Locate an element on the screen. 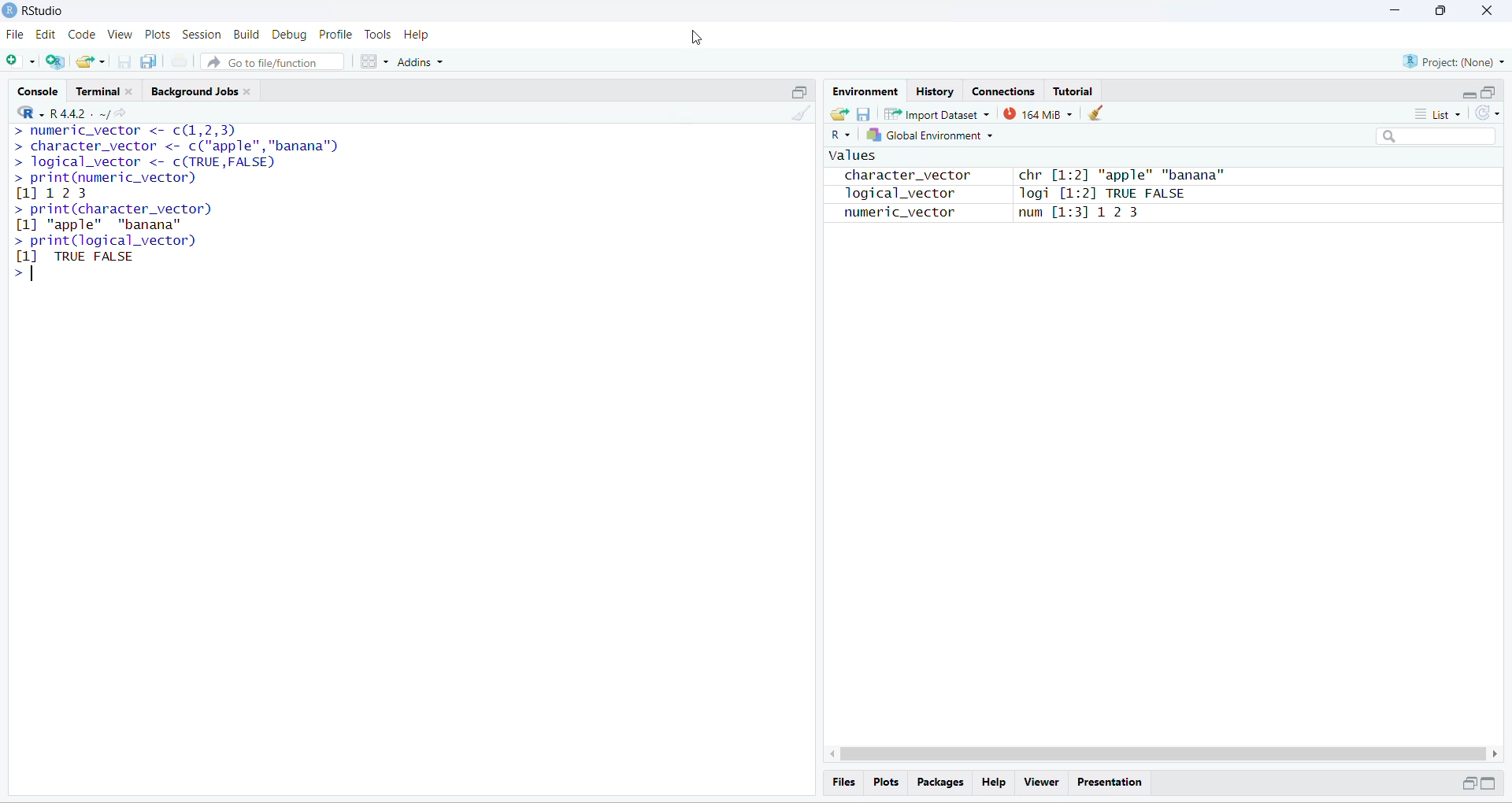  File is located at coordinates (16, 35).